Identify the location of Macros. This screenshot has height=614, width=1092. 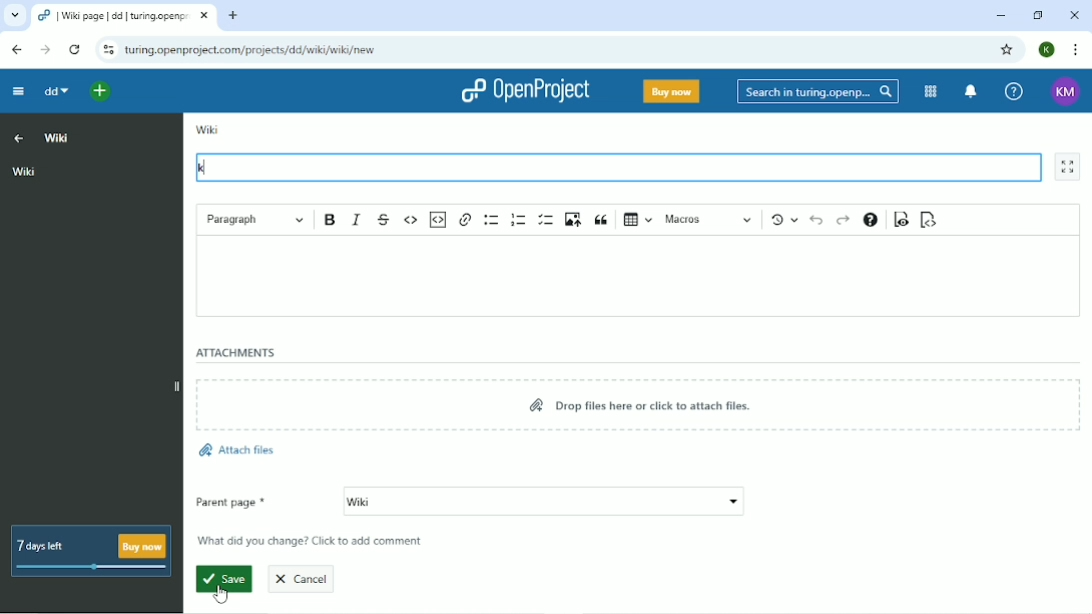
(712, 221).